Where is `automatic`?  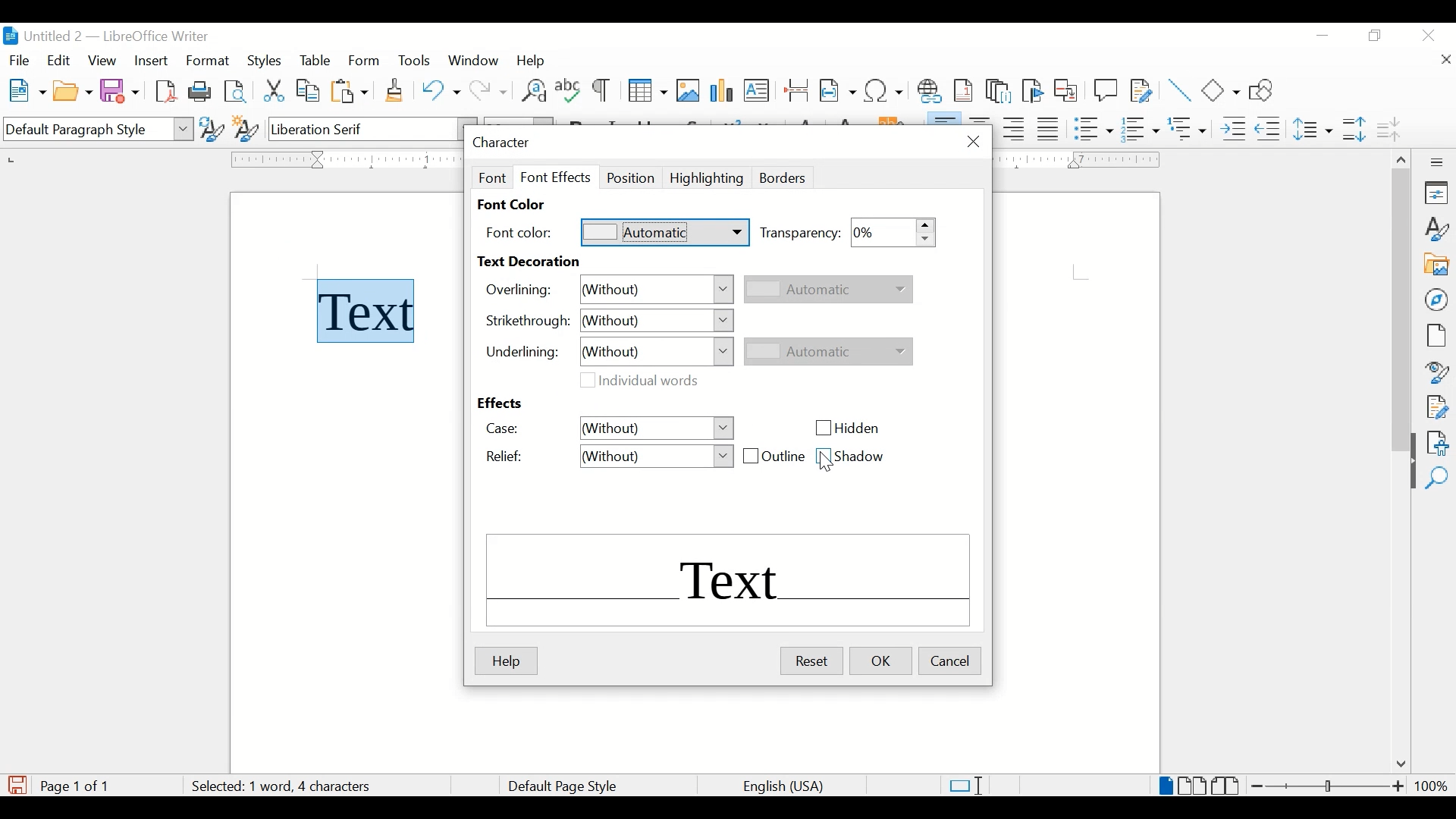
automatic is located at coordinates (828, 351).